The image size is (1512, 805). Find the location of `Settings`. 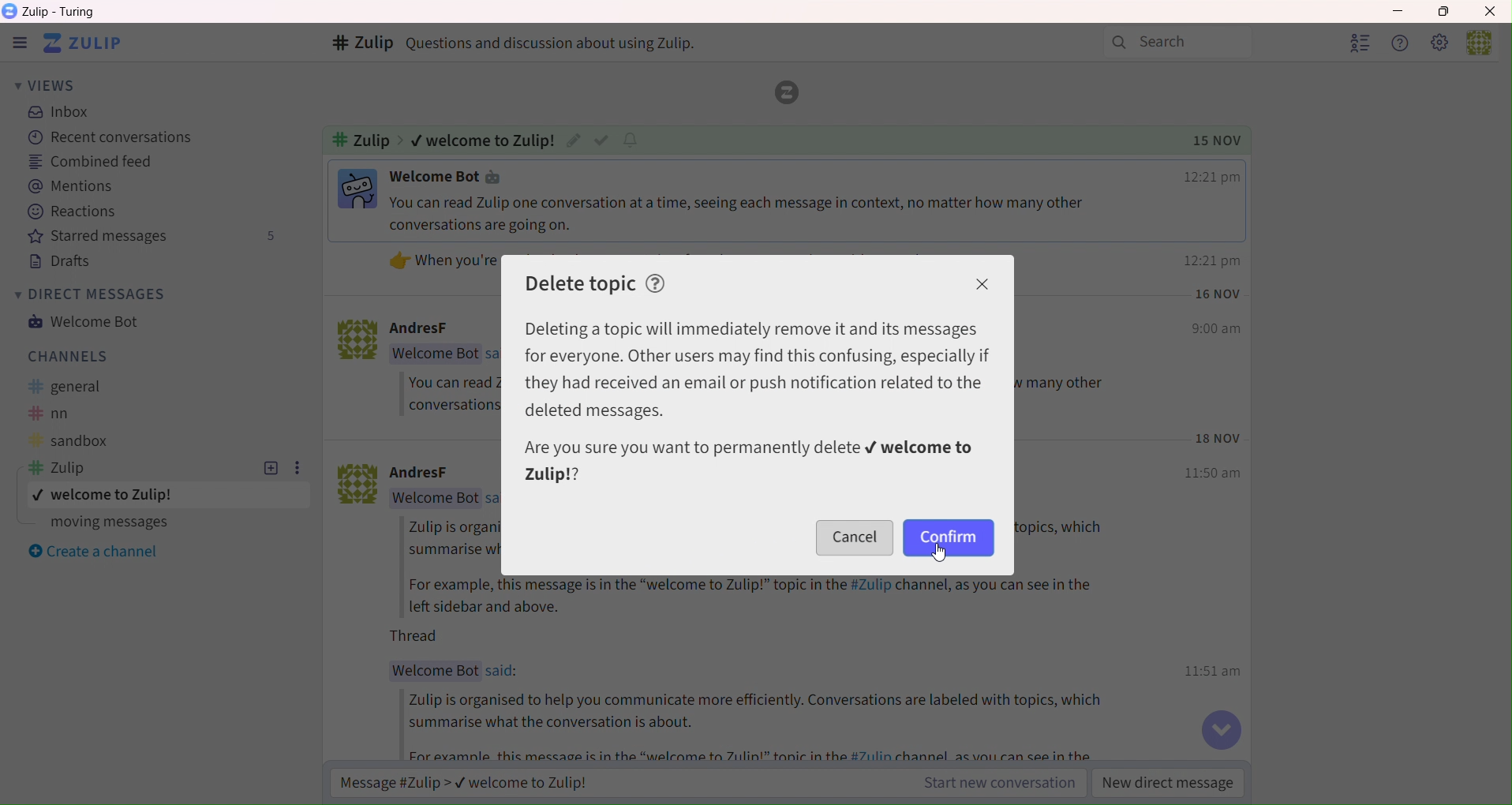

Settings is located at coordinates (1440, 45).